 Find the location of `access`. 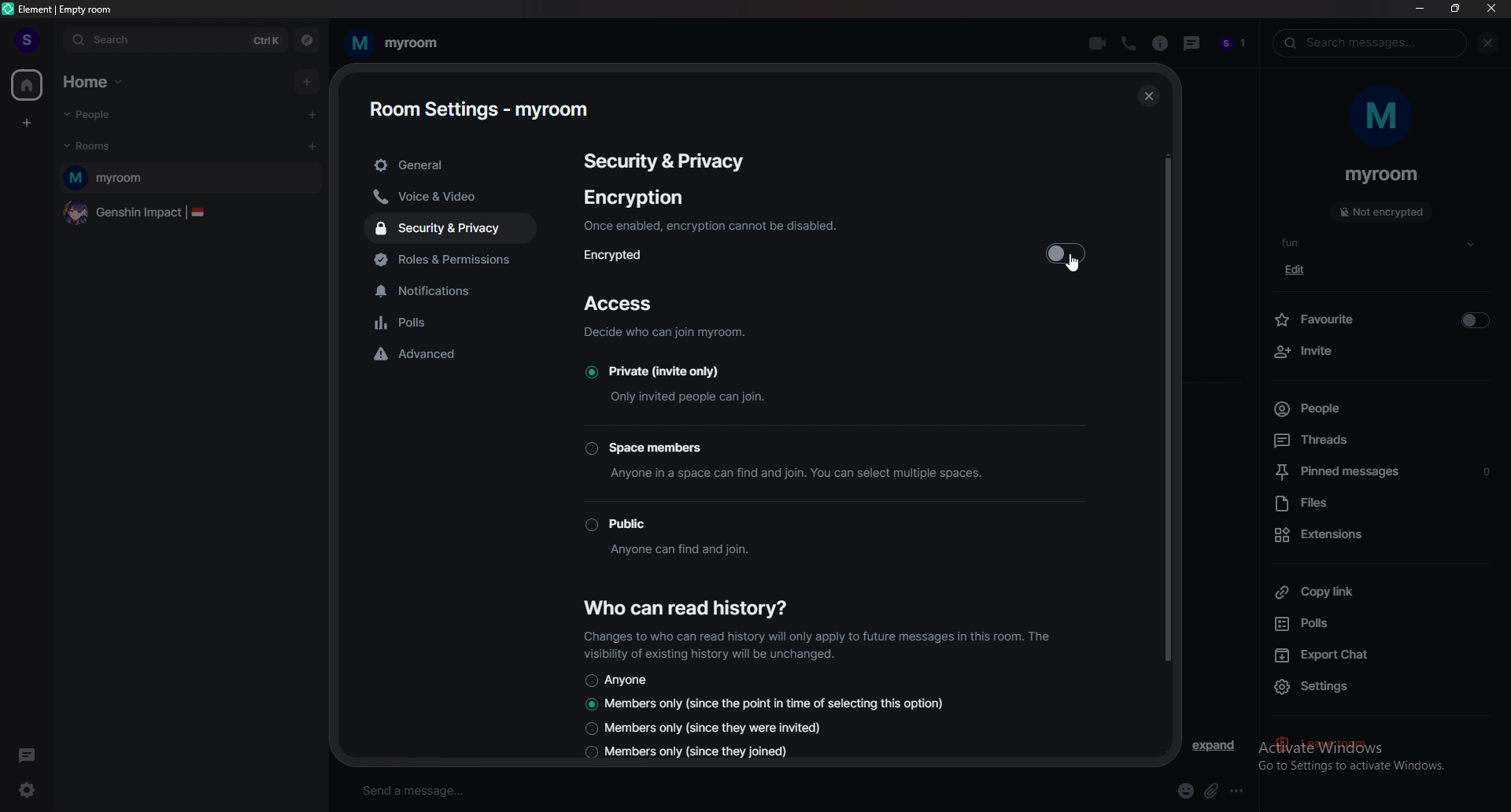

access is located at coordinates (621, 303).